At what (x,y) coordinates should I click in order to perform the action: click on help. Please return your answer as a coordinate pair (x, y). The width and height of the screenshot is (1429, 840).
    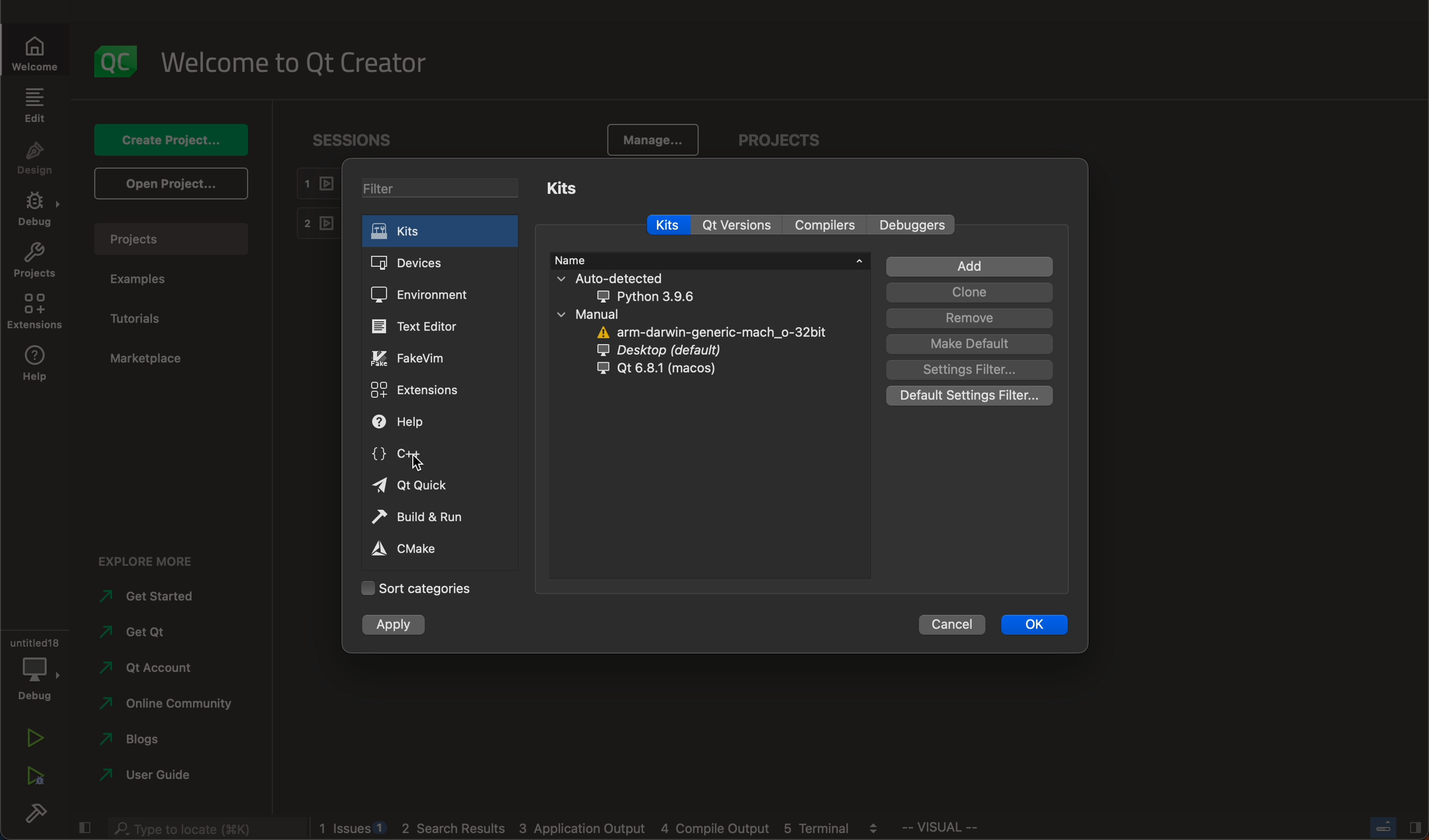
    Looking at the image, I should click on (34, 366).